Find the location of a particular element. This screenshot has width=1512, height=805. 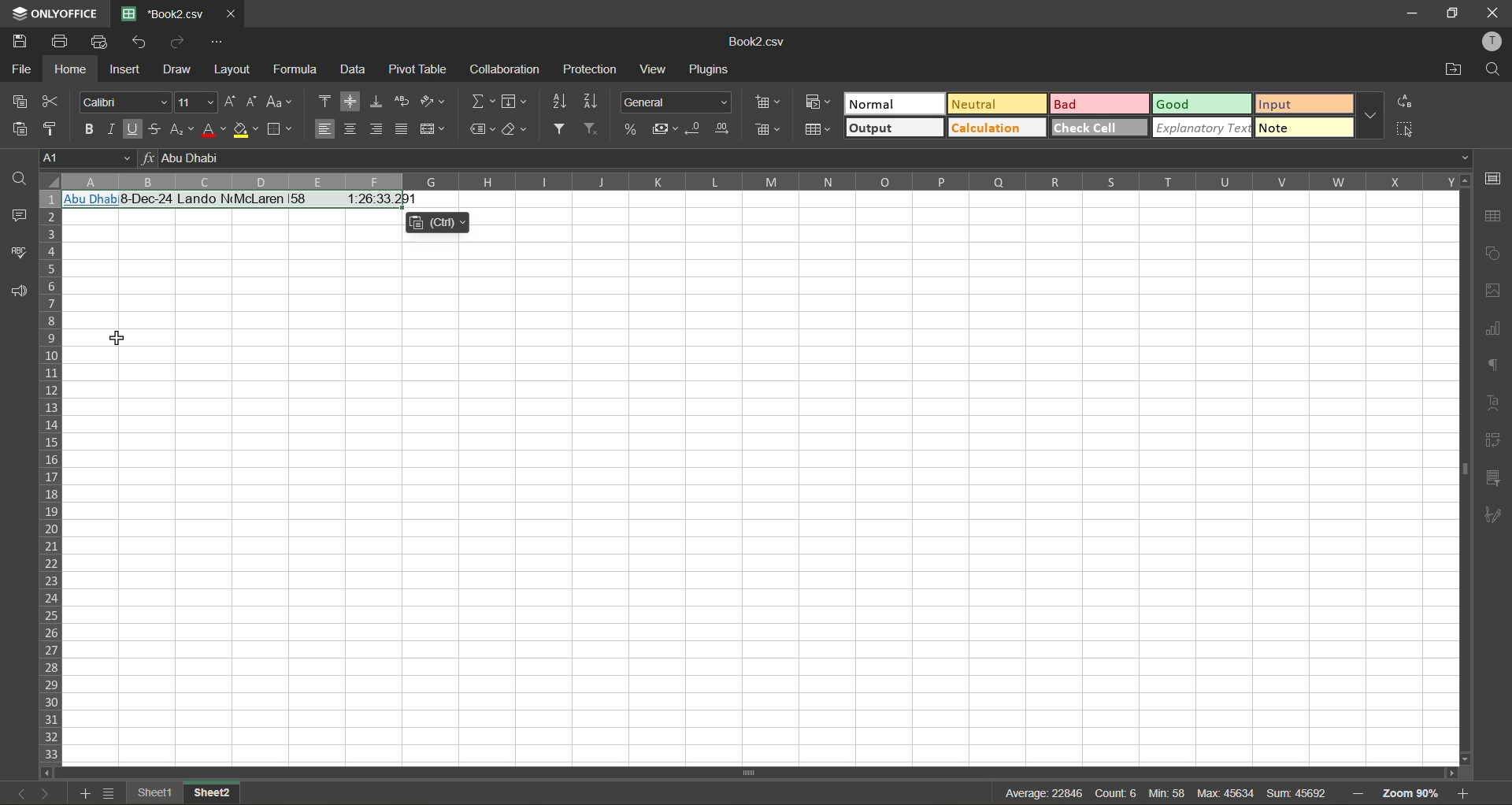

select all cells is located at coordinates (47, 182).